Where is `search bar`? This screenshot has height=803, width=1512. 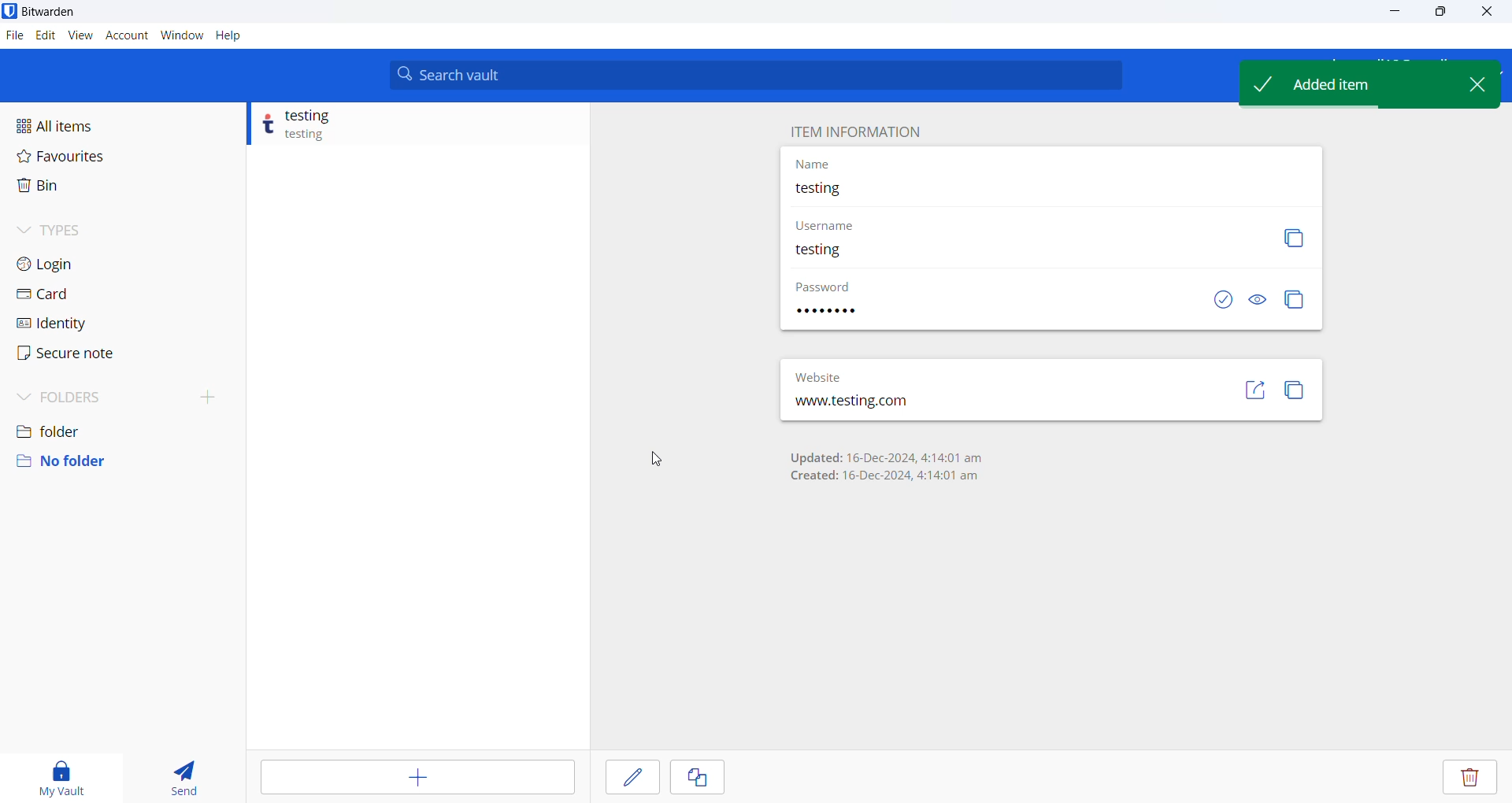 search bar is located at coordinates (755, 74).